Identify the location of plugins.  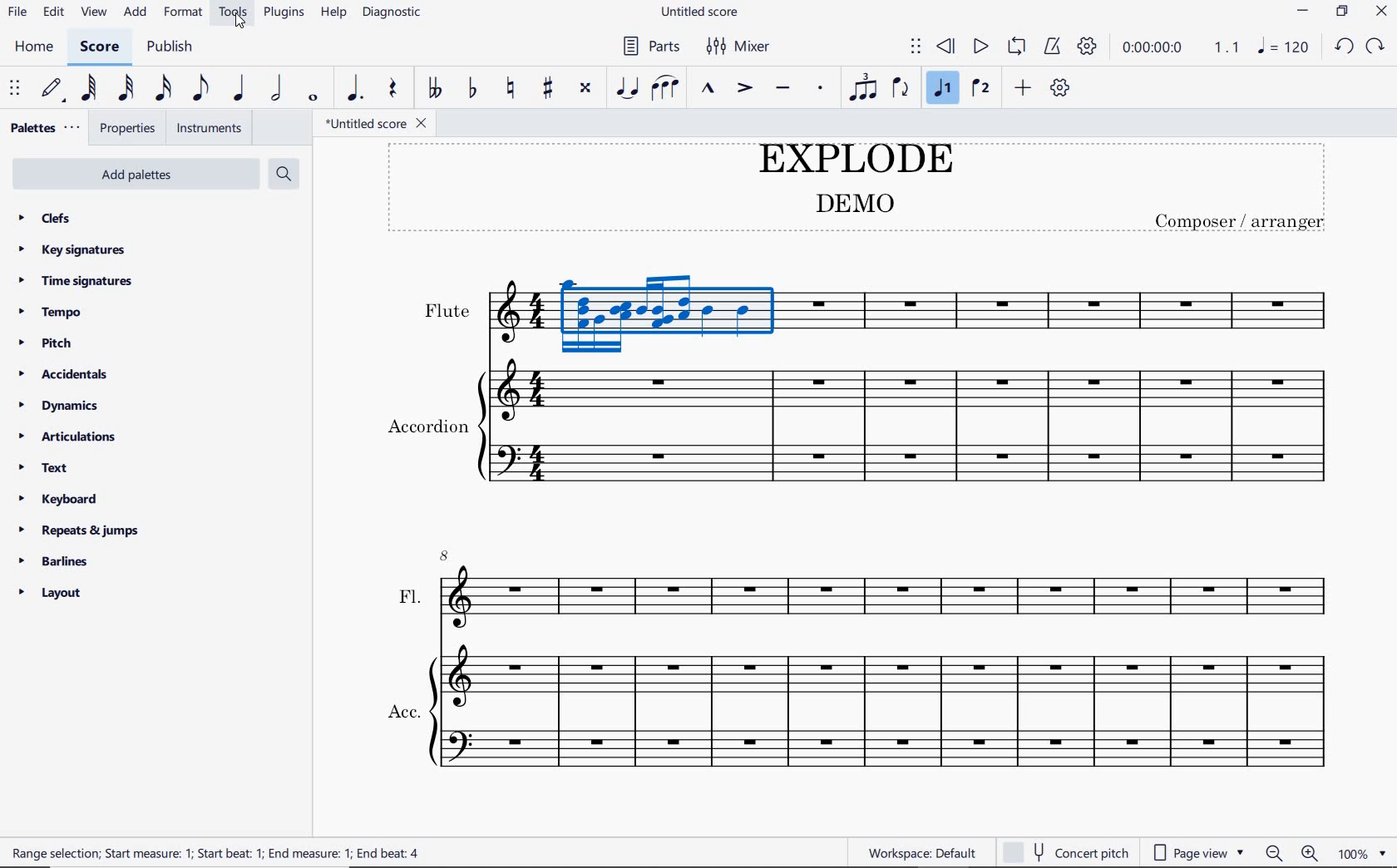
(284, 13).